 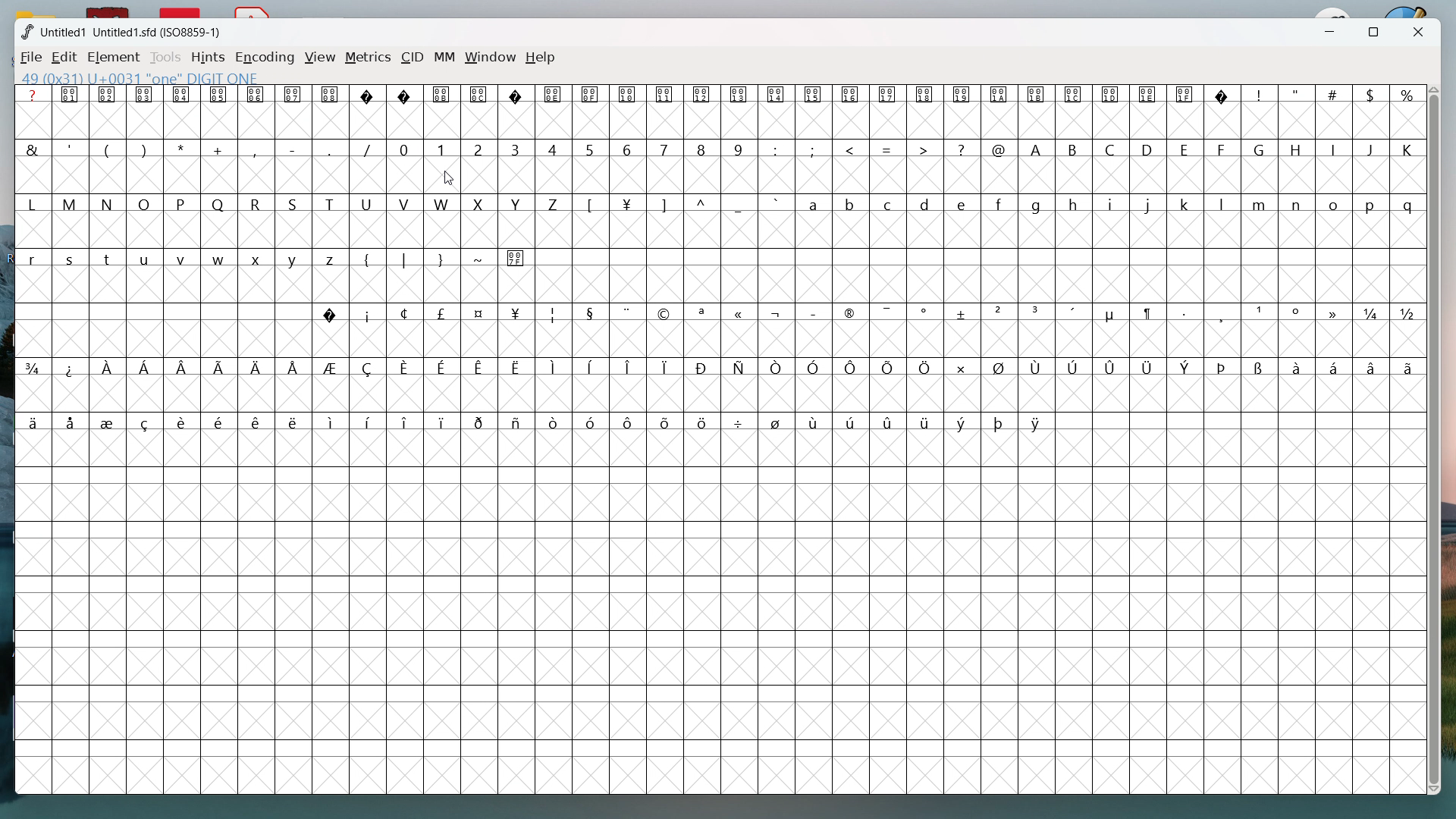 I want to click on Z, so click(x=554, y=203).